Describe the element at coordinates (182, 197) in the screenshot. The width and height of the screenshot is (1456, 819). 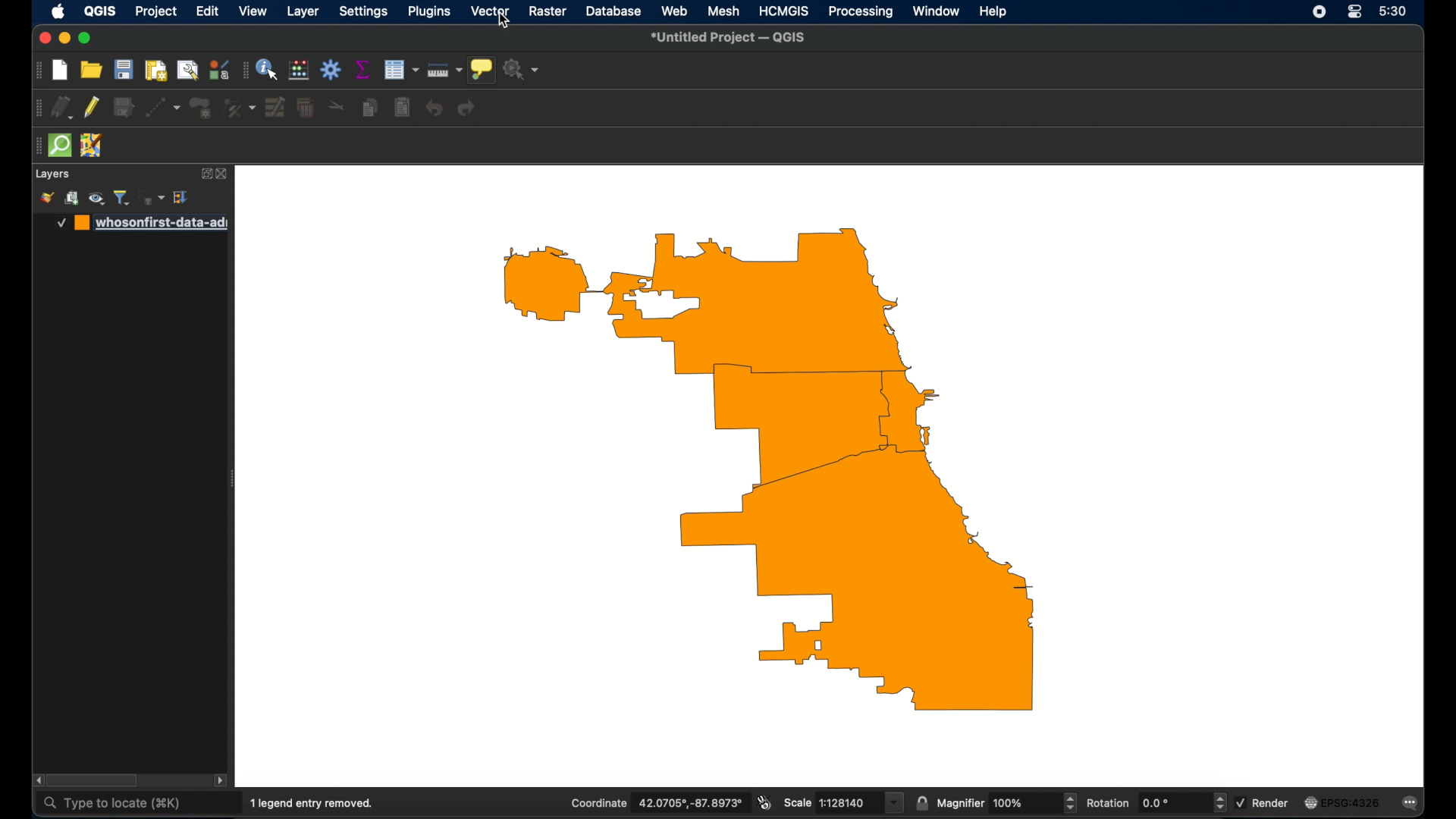
I see `expand all` at that location.